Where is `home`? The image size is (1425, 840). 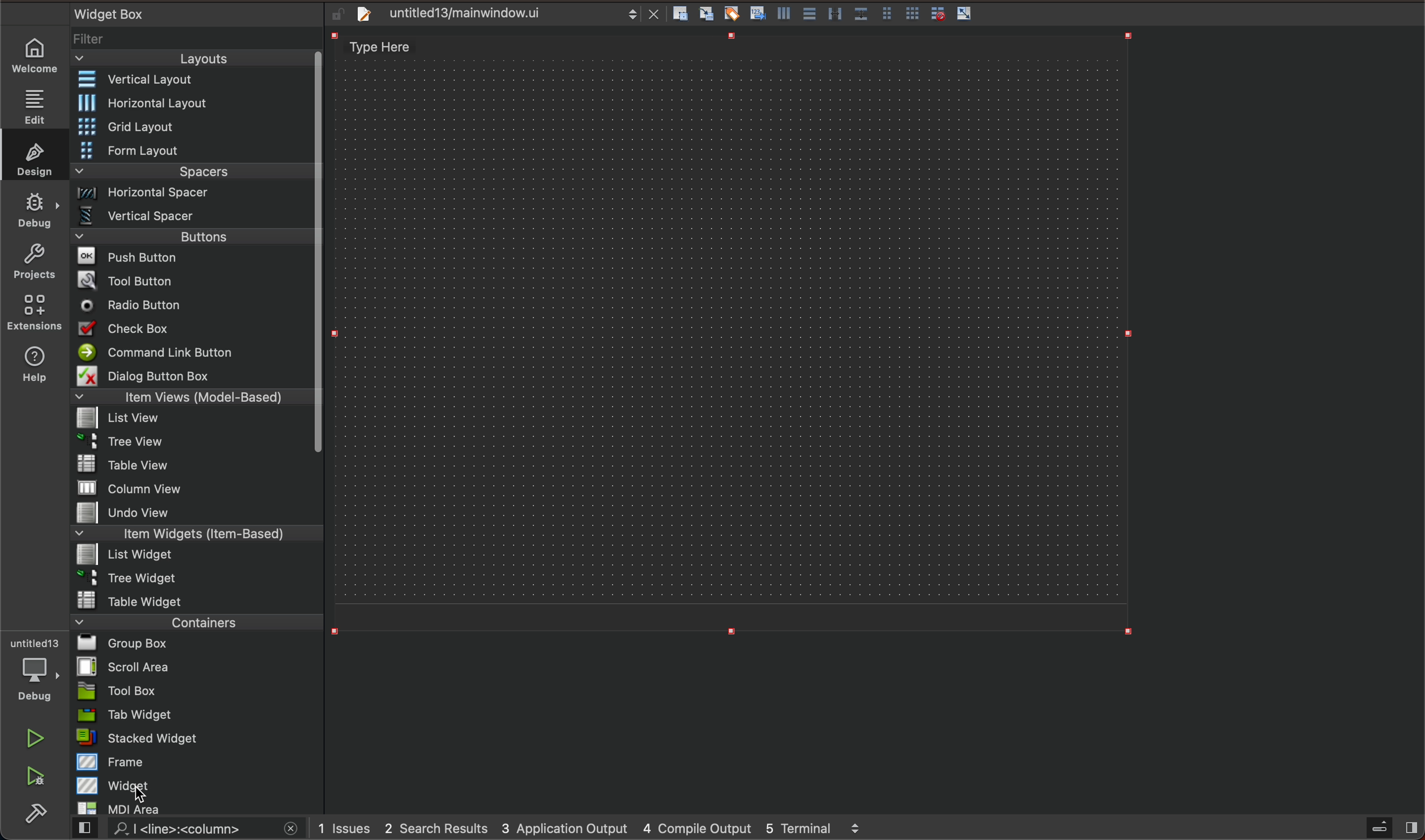 home is located at coordinates (37, 57).